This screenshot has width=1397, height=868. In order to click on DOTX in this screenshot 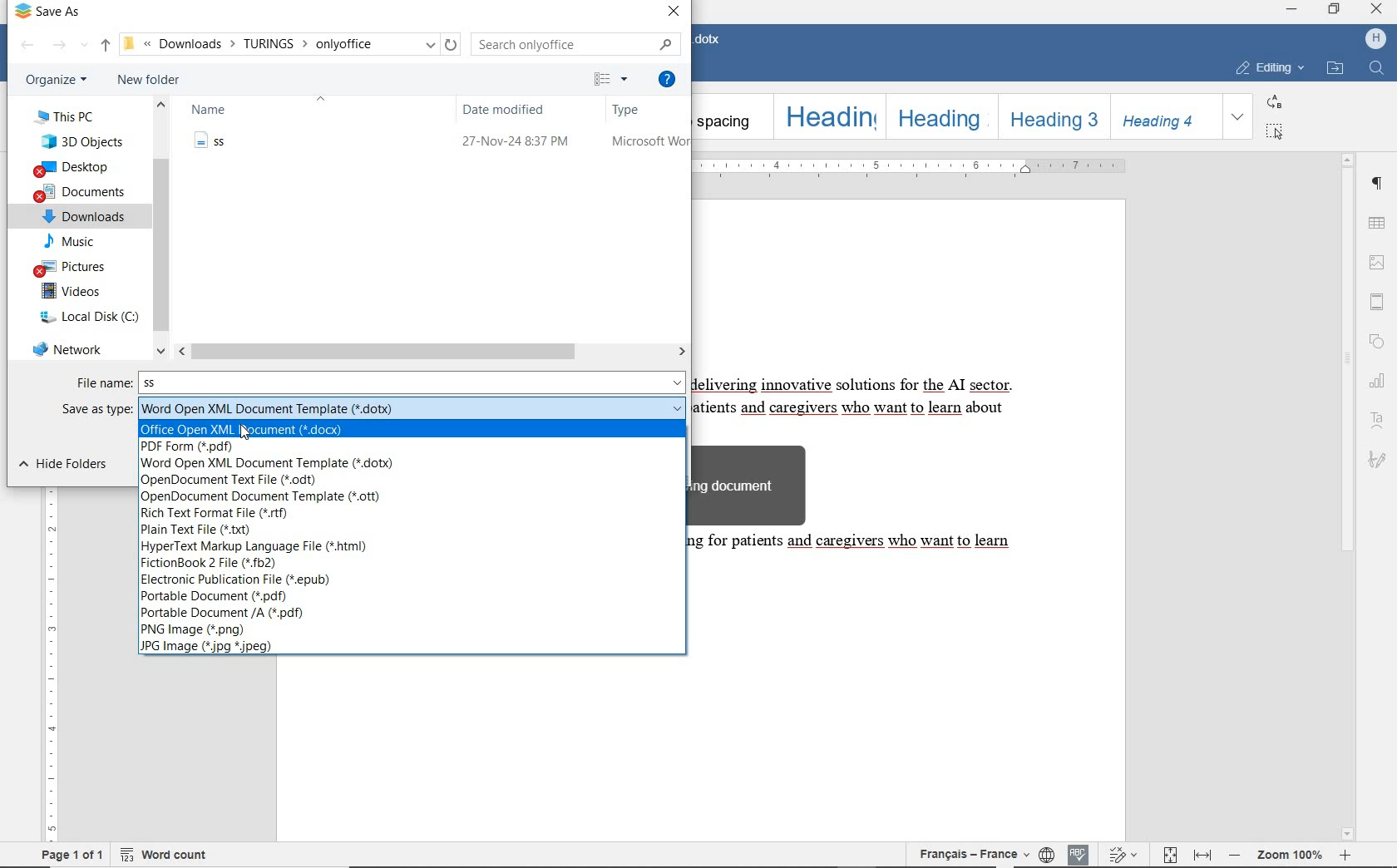, I will do `click(274, 464)`.